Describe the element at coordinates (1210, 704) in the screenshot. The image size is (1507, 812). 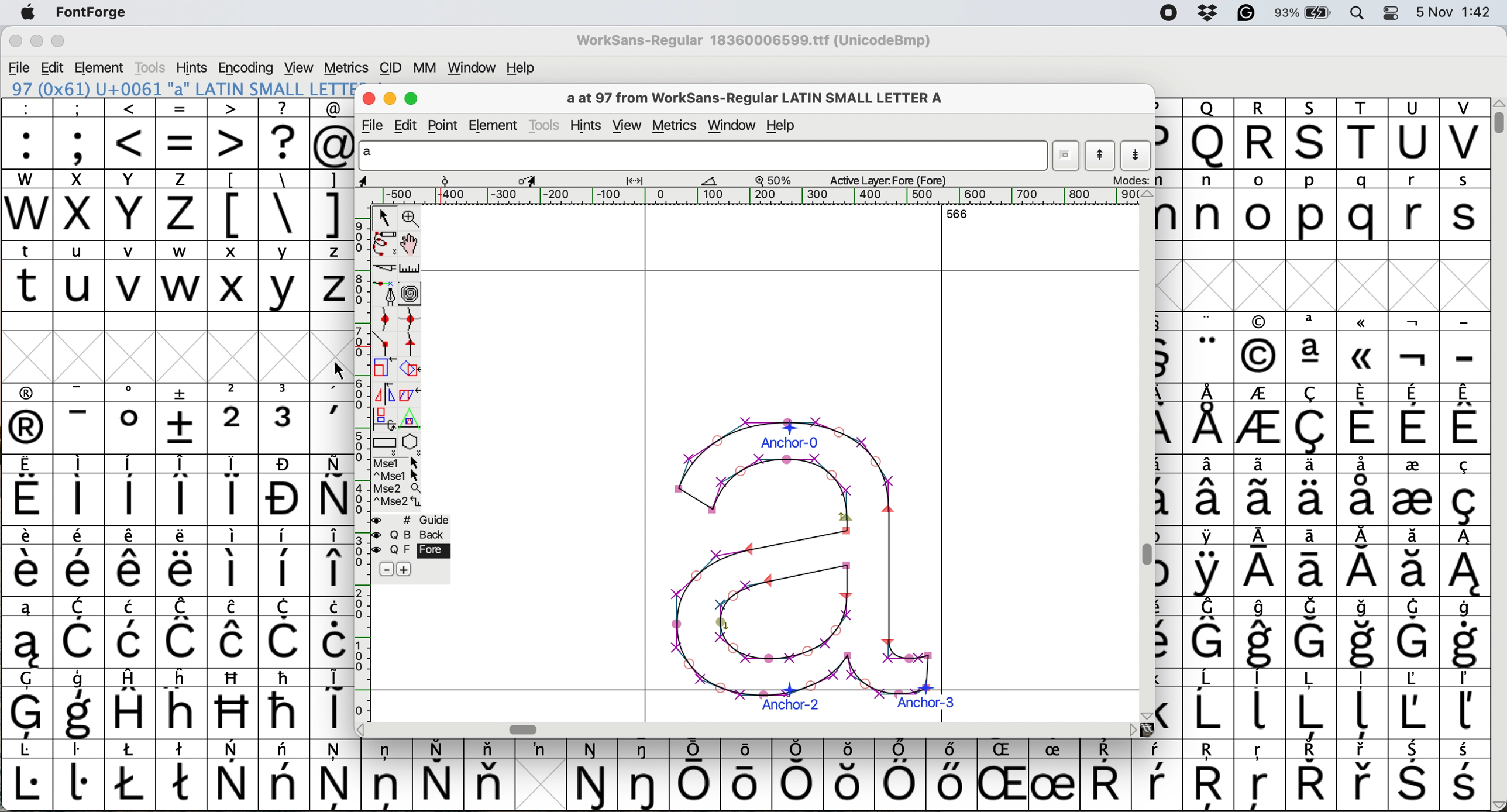
I see `symbol` at that location.